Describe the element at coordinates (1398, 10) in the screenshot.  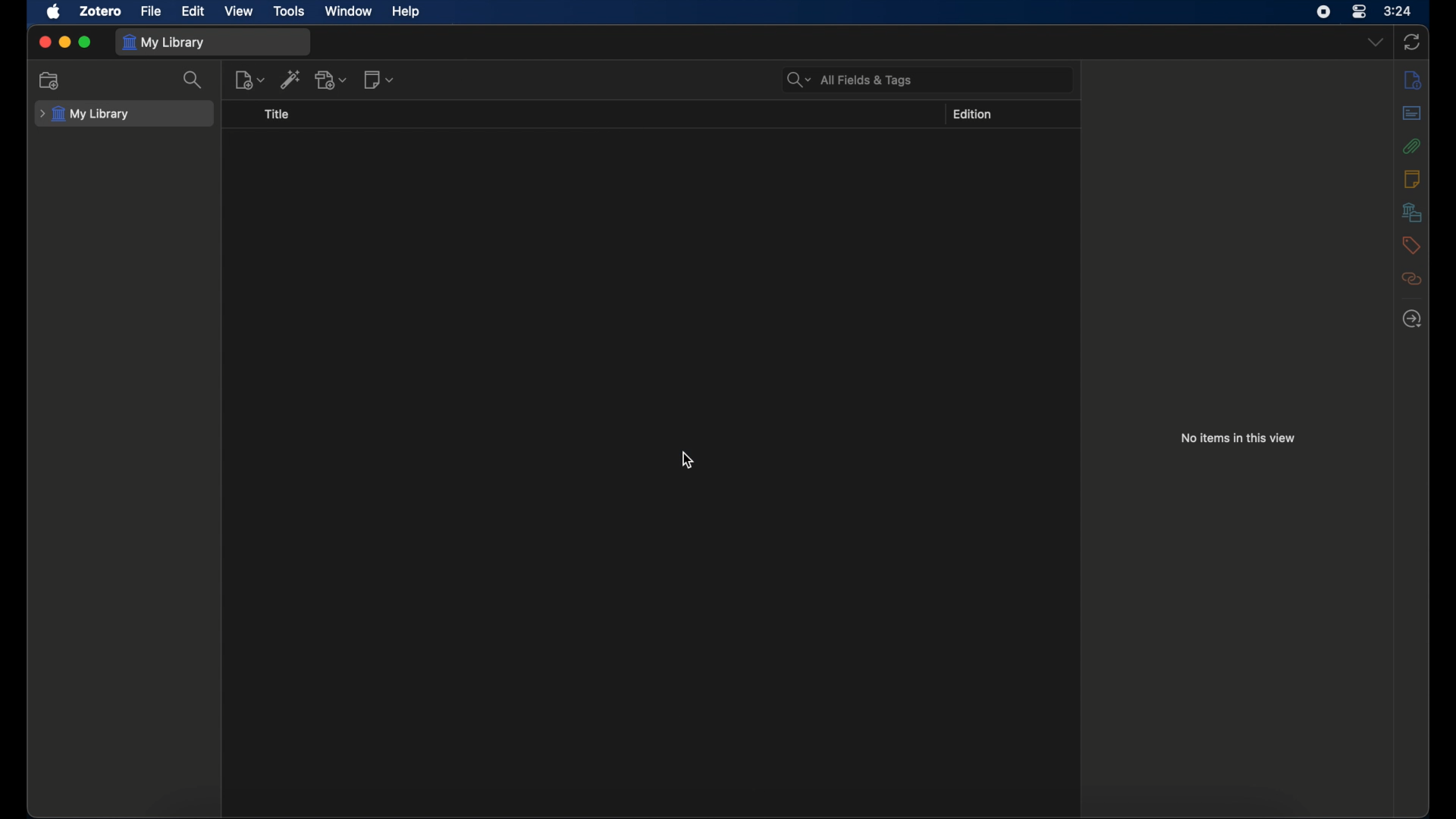
I see `time (3:24)` at that location.